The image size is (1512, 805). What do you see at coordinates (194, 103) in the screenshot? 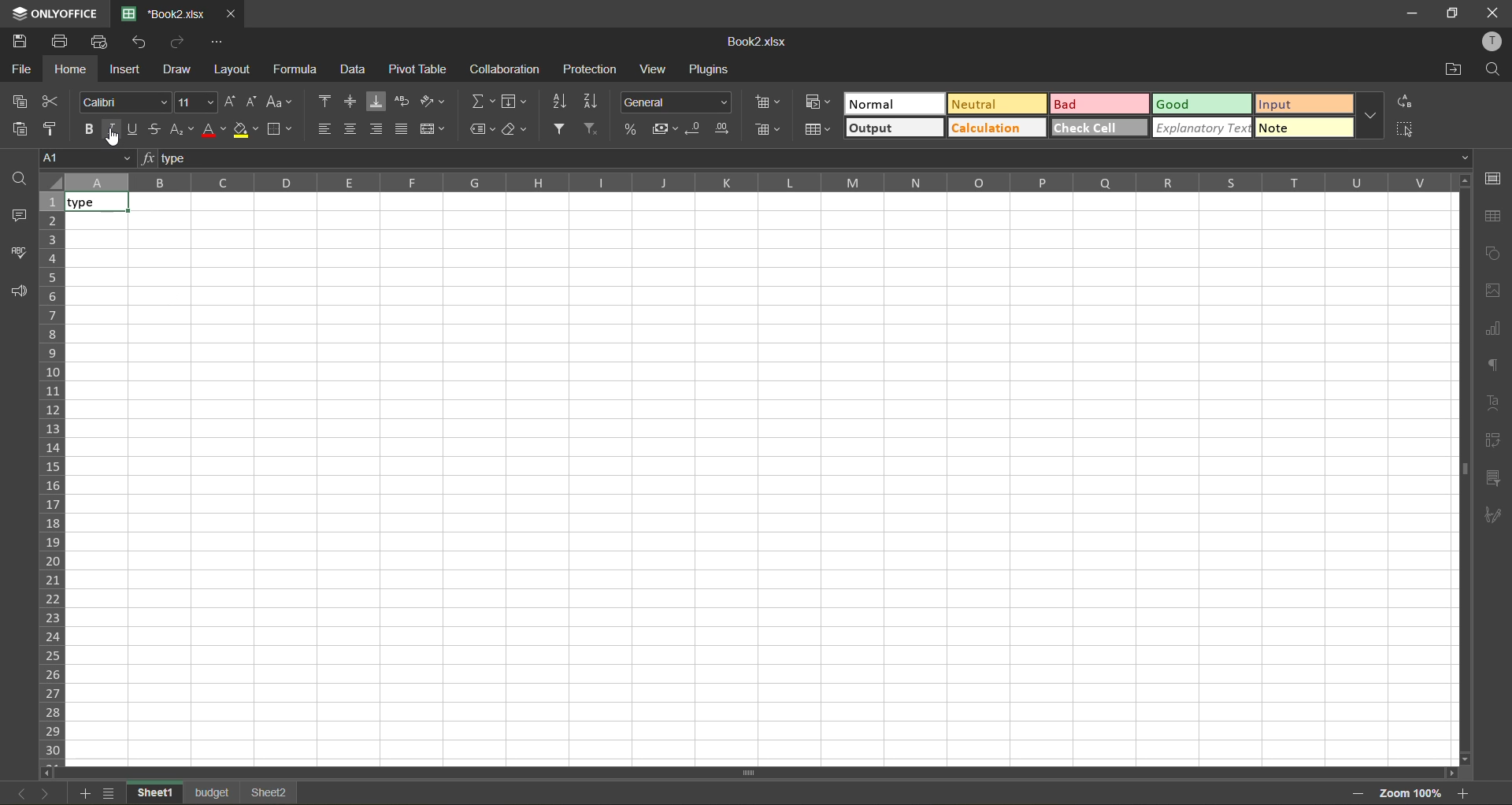
I see `font size` at bounding box center [194, 103].